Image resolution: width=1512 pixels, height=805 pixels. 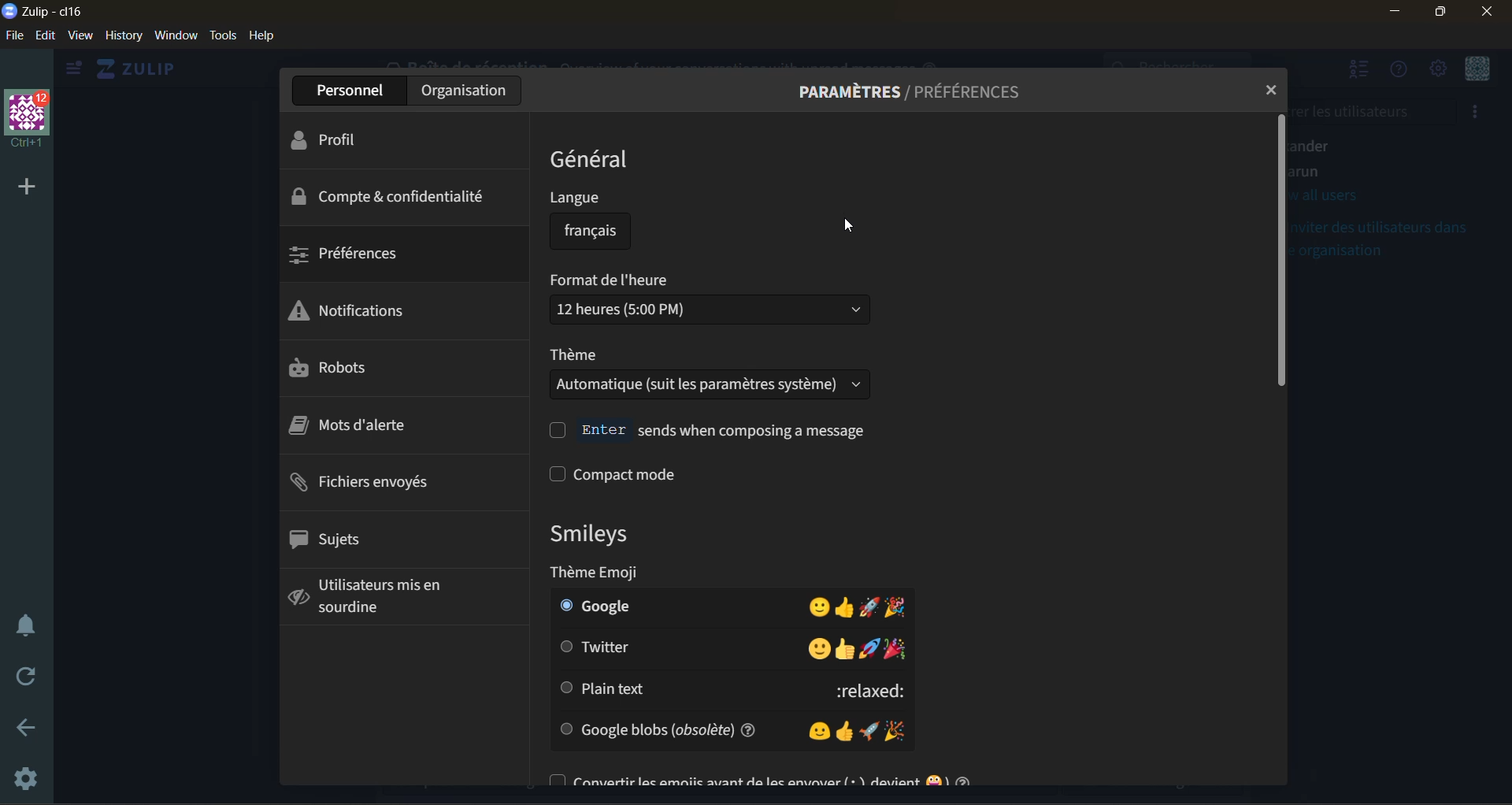 What do you see at coordinates (123, 39) in the screenshot?
I see `history` at bounding box center [123, 39].